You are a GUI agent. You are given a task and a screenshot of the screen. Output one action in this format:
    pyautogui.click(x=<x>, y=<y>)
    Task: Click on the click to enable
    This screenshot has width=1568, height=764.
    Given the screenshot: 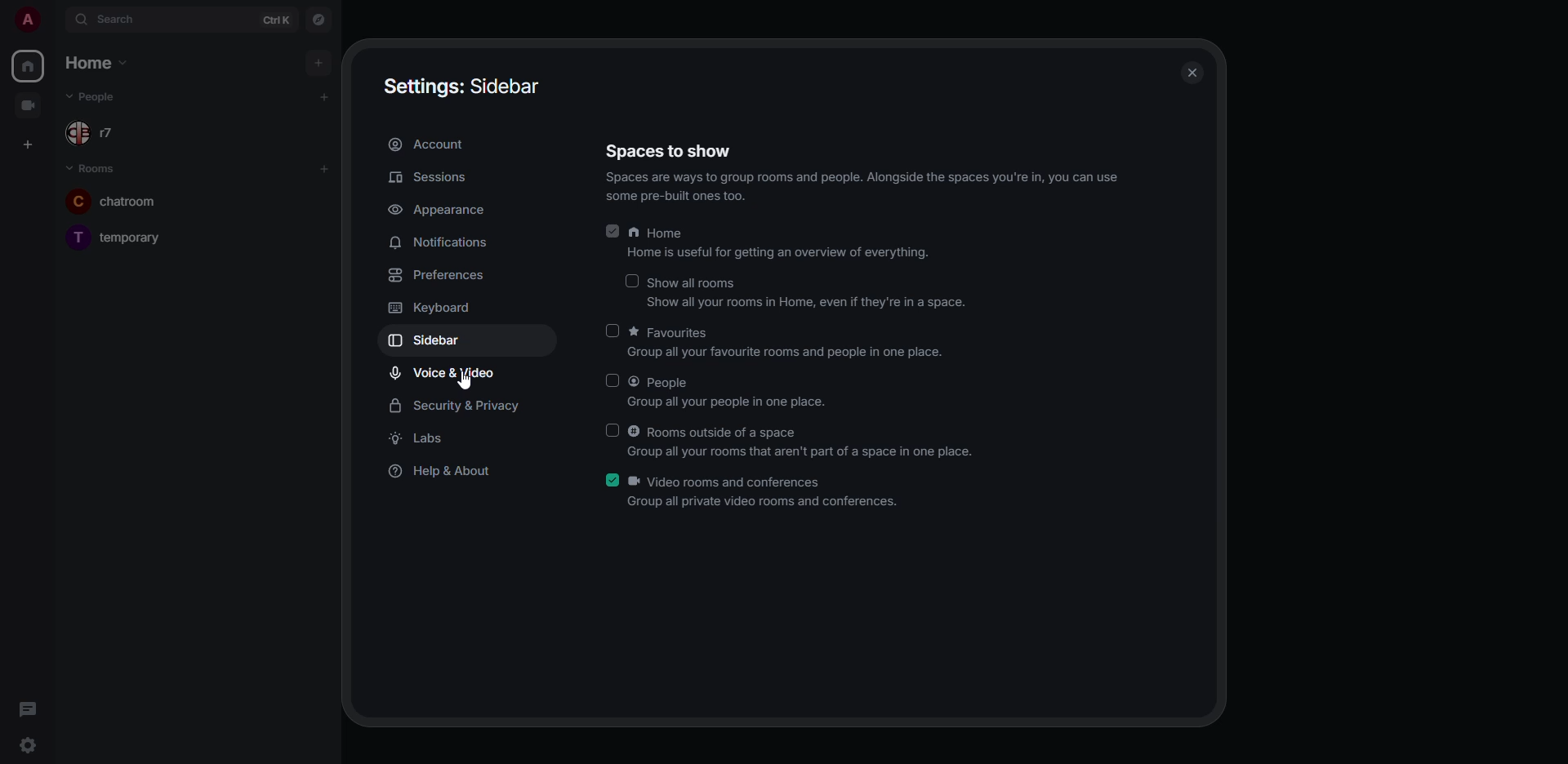 What is the action you would take?
    pyautogui.click(x=615, y=381)
    